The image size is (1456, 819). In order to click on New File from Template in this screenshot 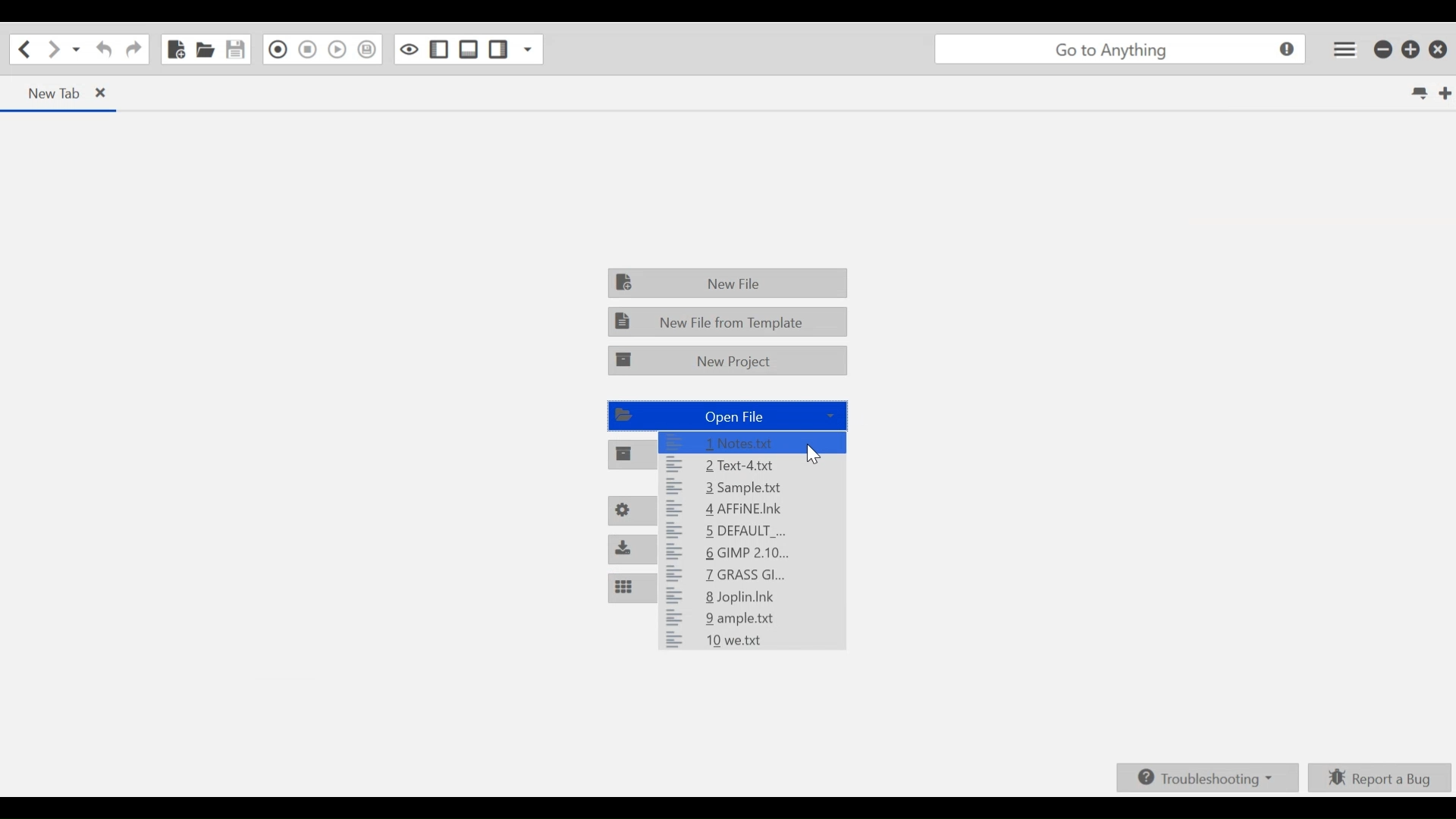, I will do `click(726, 322)`.